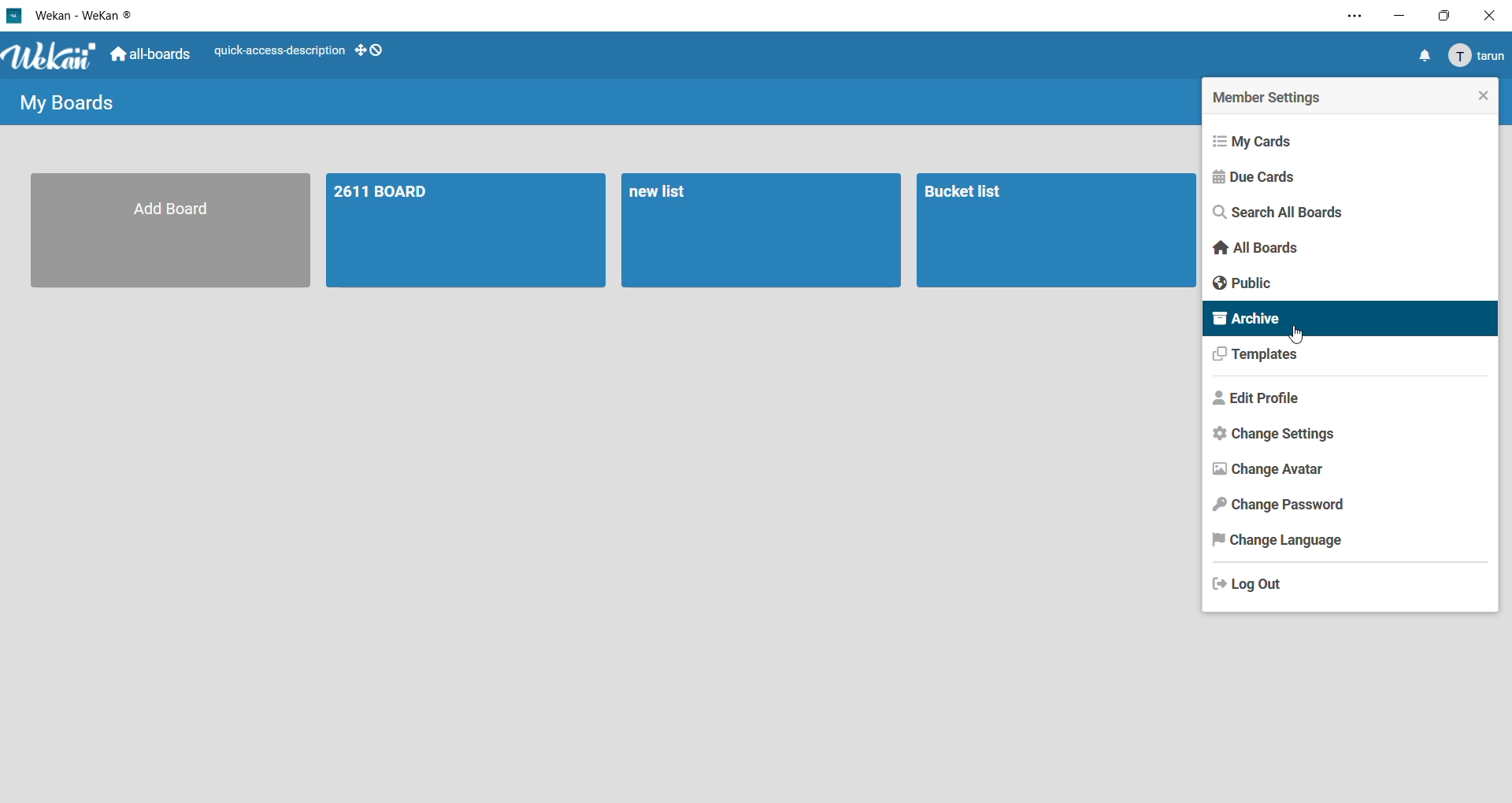  Describe the element at coordinates (14, 14) in the screenshot. I see `wekan logo` at that location.